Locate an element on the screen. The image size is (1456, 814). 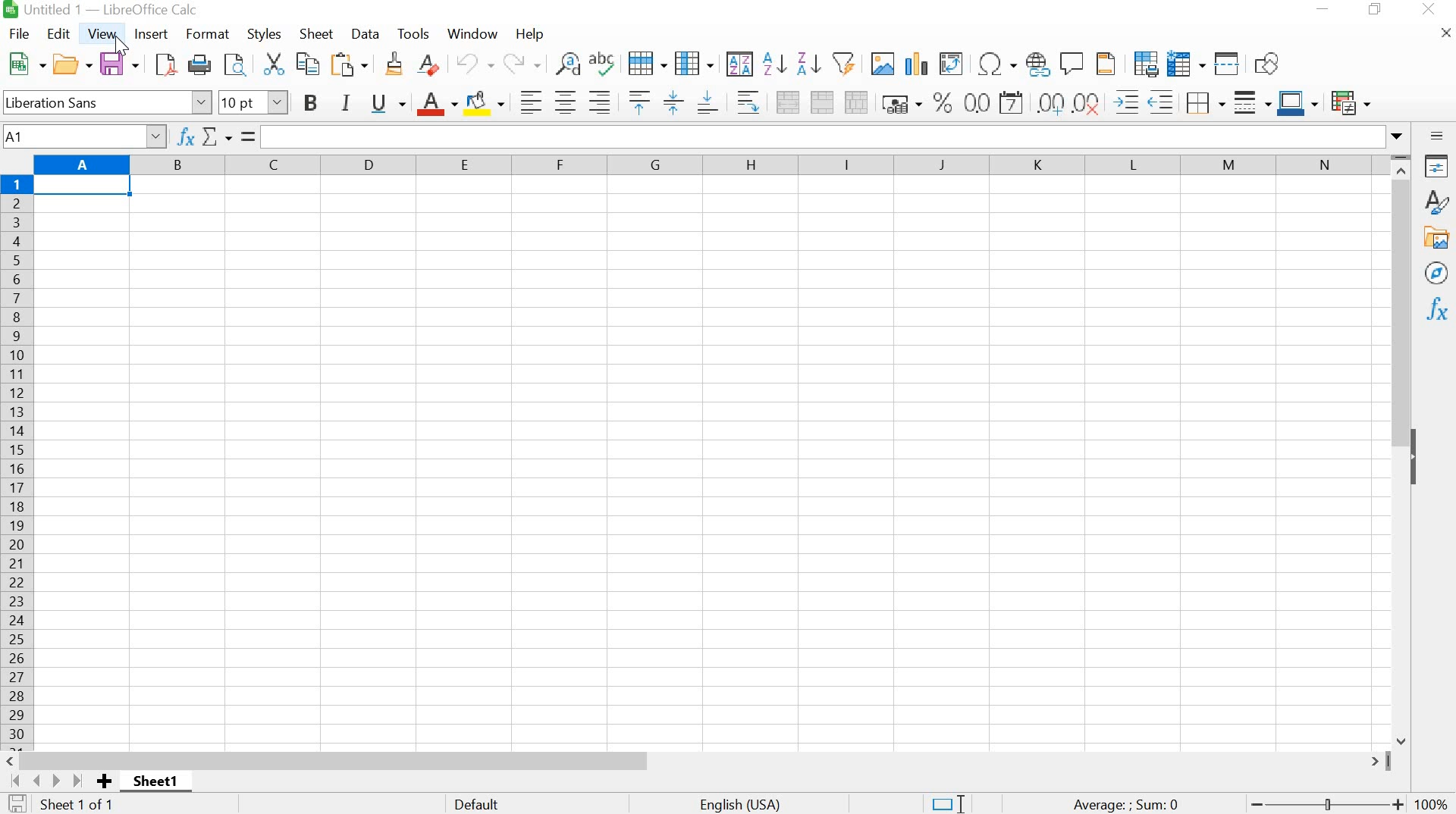
ADD DECIMAL PLACE OR DELETE DECIMAL PLACE is located at coordinates (1071, 101).